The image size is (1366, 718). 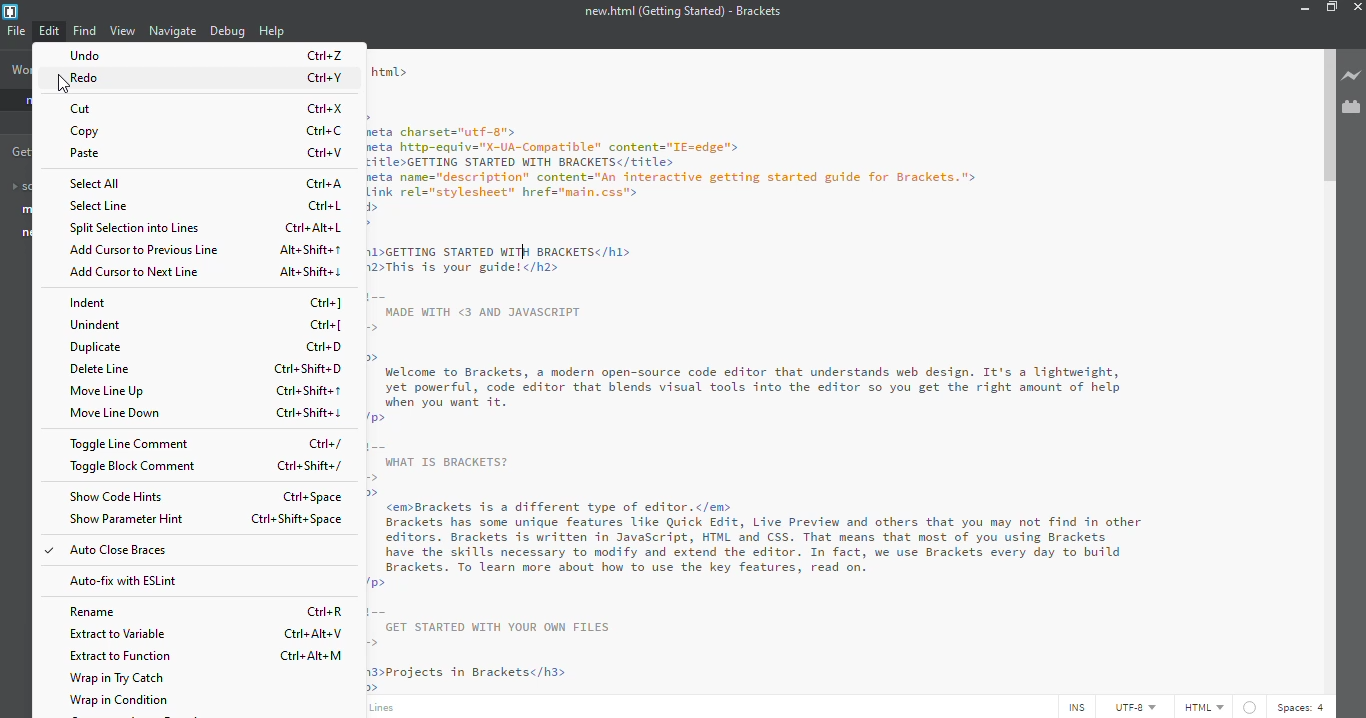 What do you see at coordinates (300, 519) in the screenshot?
I see `ctrl+shift+space` at bounding box center [300, 519].